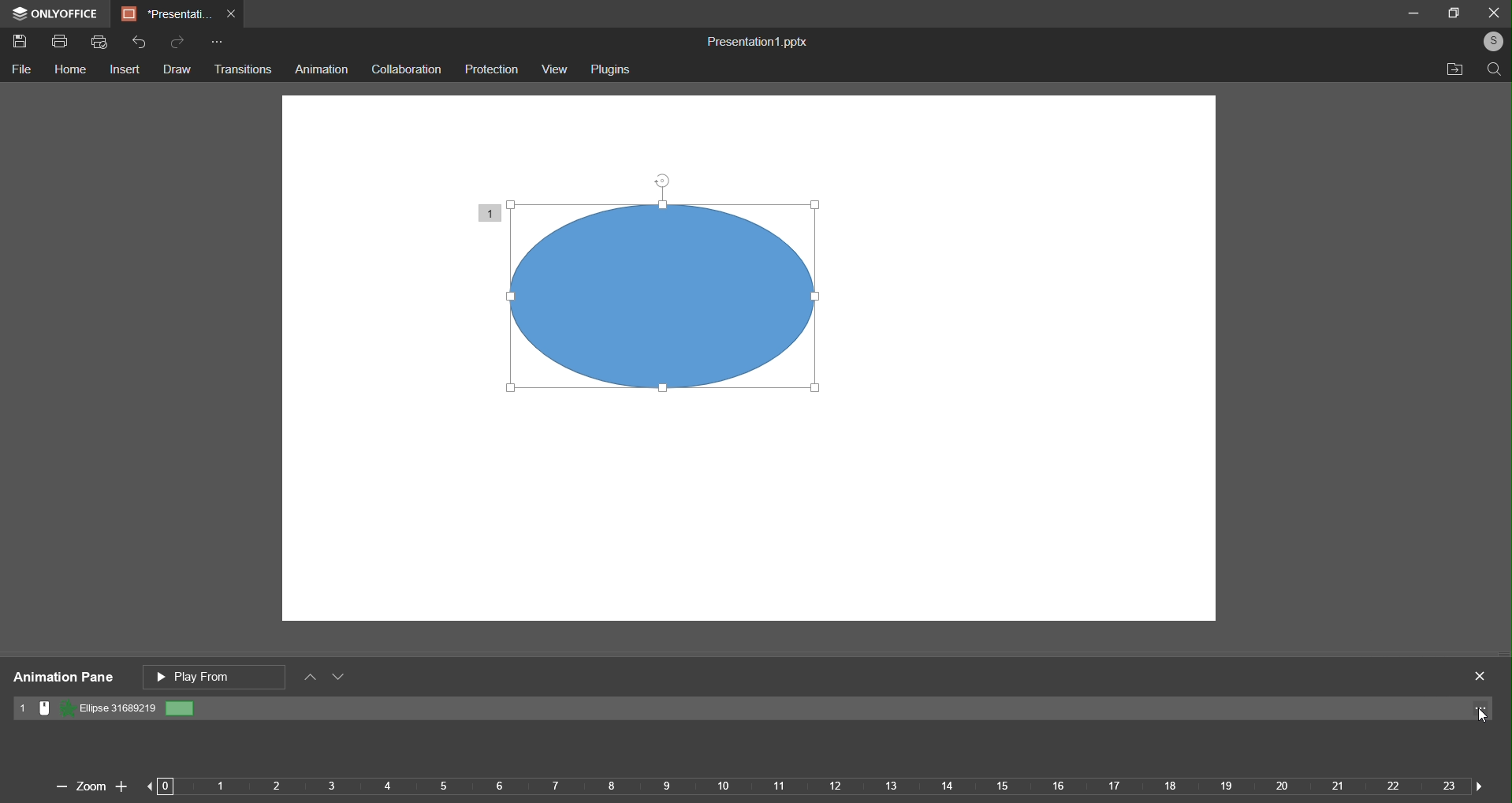  Describe the element at coordinates (819, 790) in the screenshot. I see `Timeline` at that location.